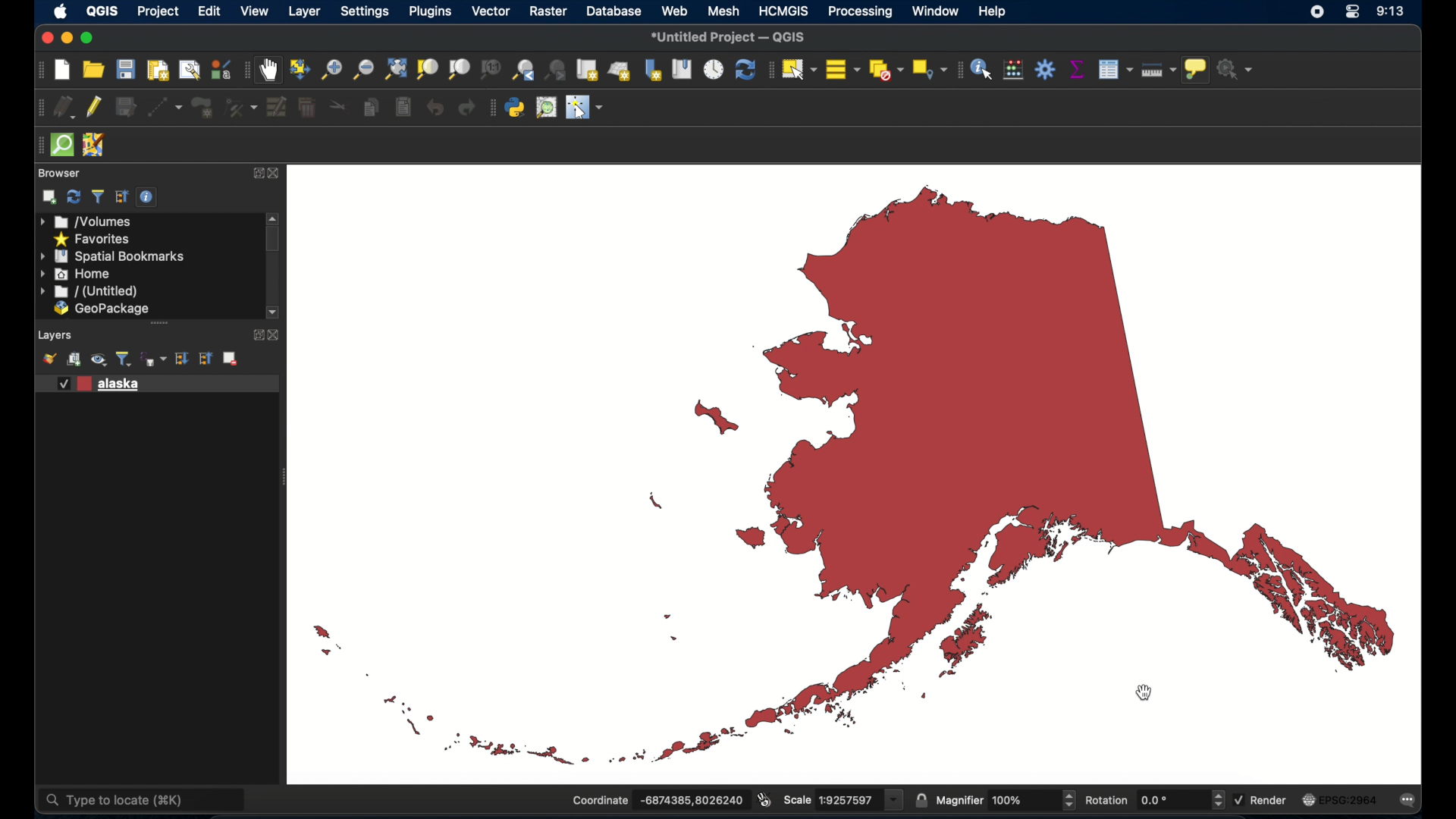  I want to click on Layers, so click(52, 335).